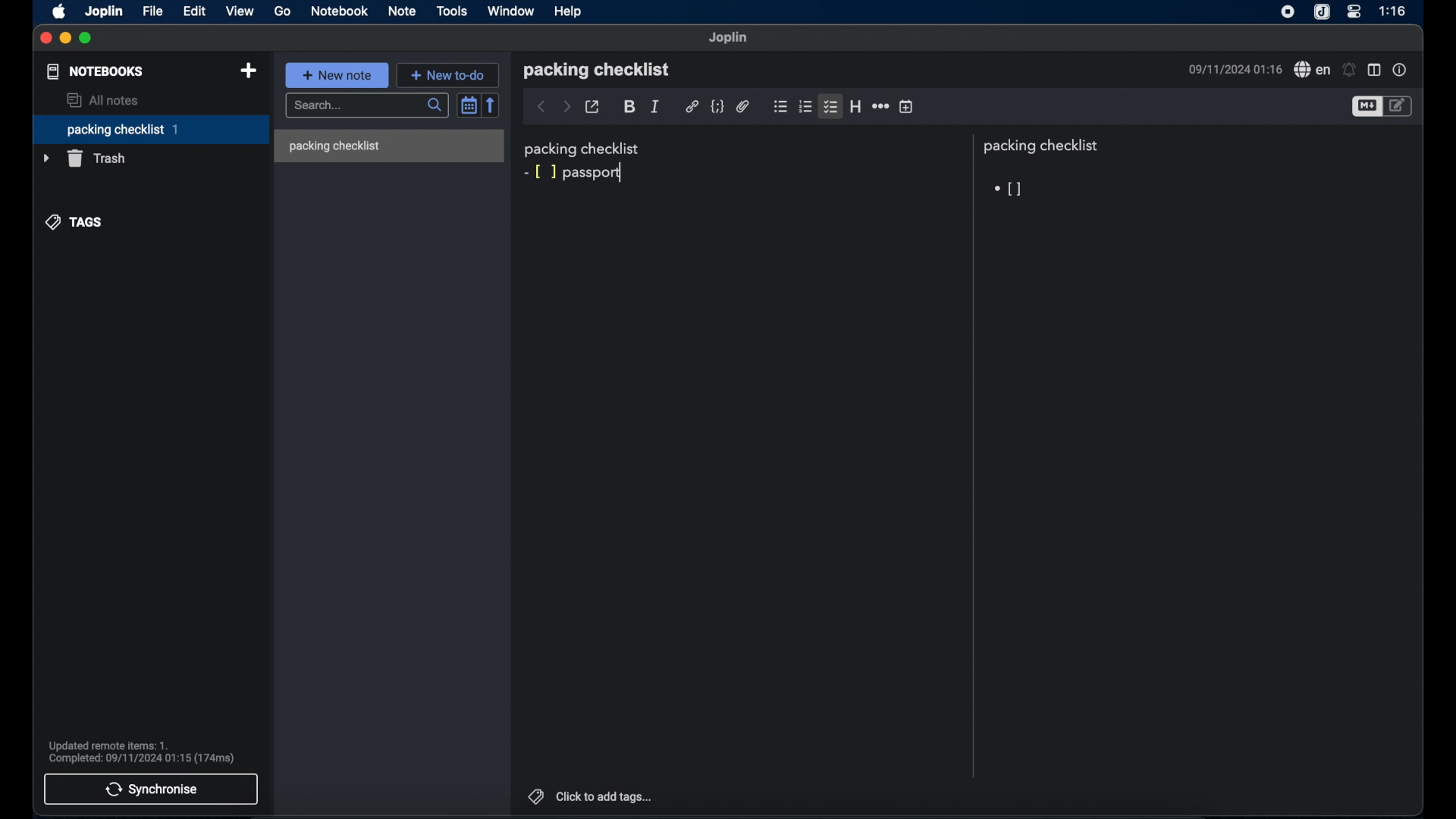  I want to click on horizontal rule, so click(880, 107).